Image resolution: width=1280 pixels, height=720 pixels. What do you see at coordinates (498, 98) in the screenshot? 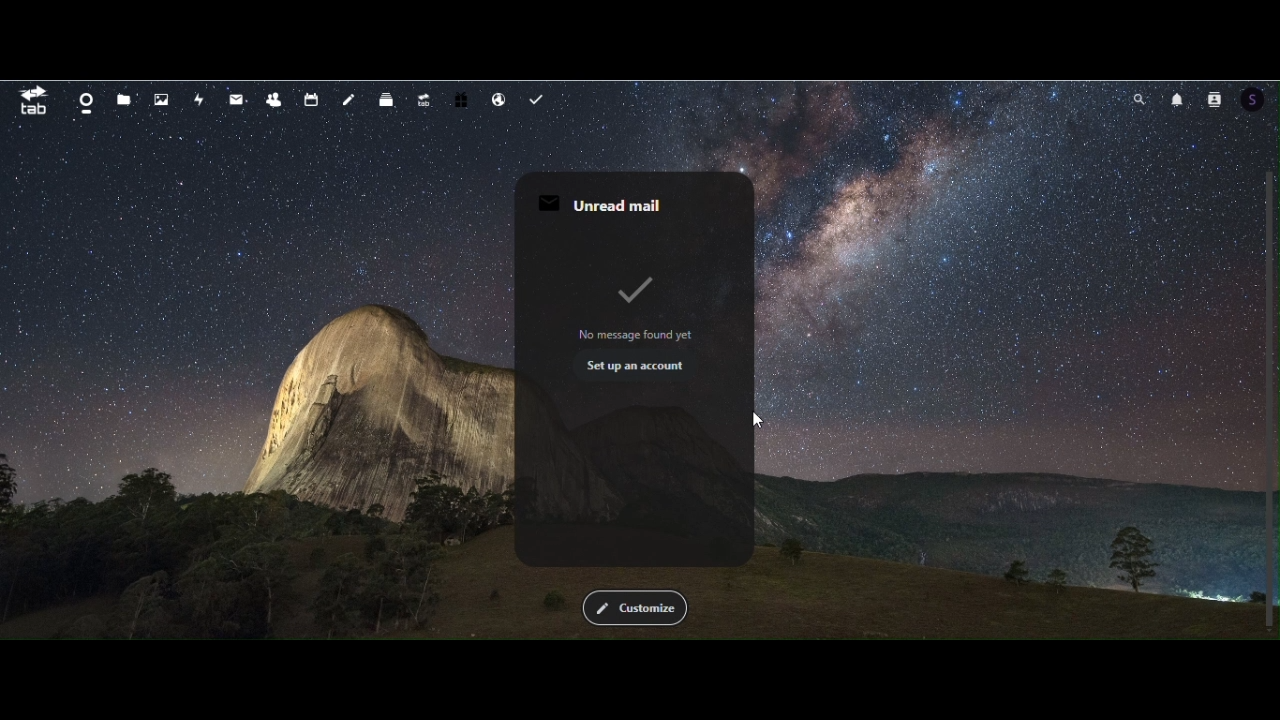
I see `email hosting` at bounding box center [498, 98].